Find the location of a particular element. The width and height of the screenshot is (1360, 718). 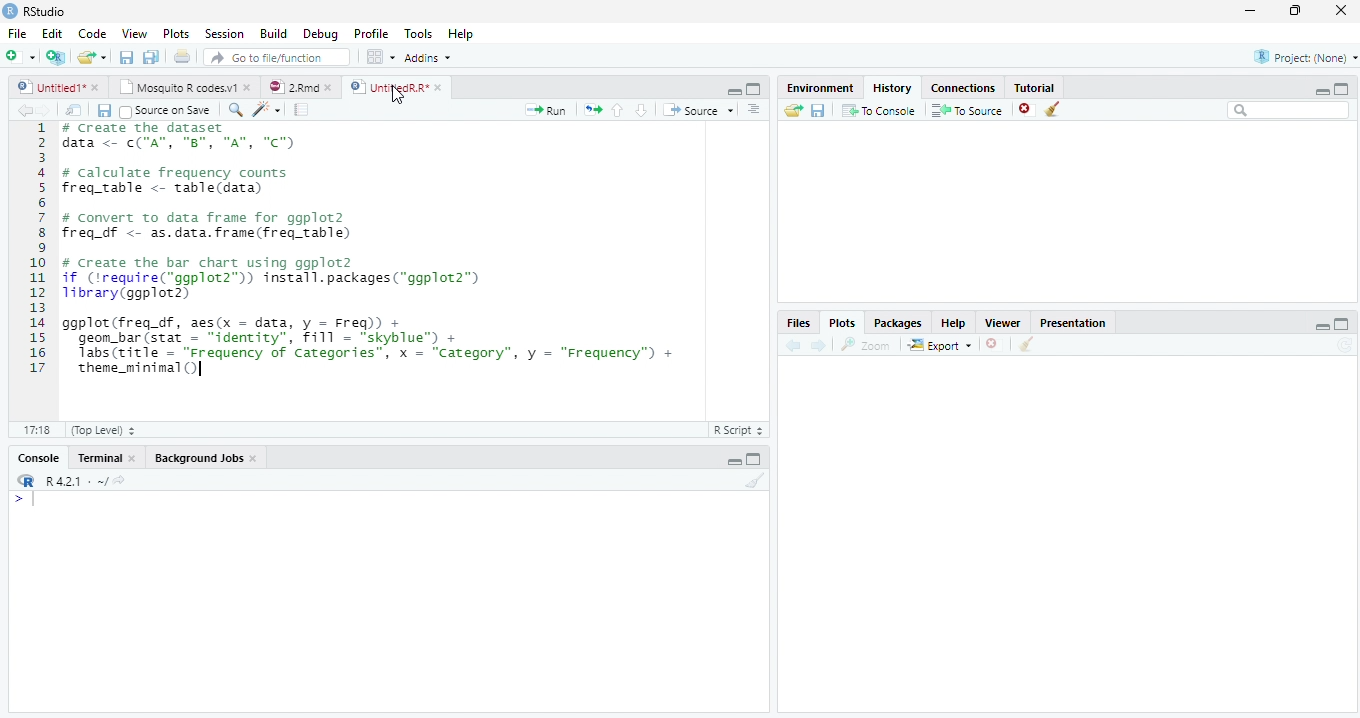

UntitledR.R is located at coordinates (396, 86).